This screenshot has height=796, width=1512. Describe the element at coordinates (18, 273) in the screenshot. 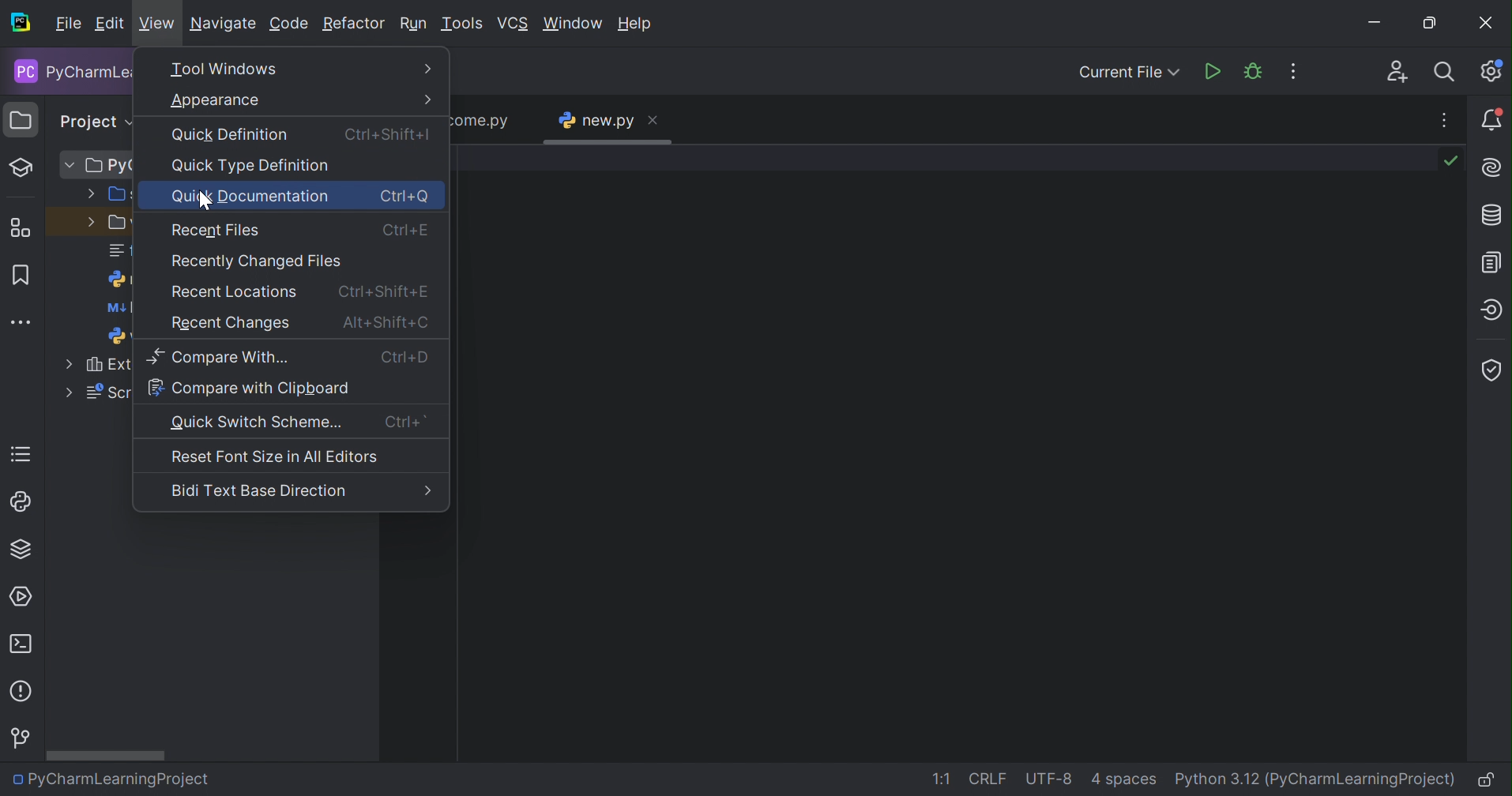

I see `Bookmarks` at that location.